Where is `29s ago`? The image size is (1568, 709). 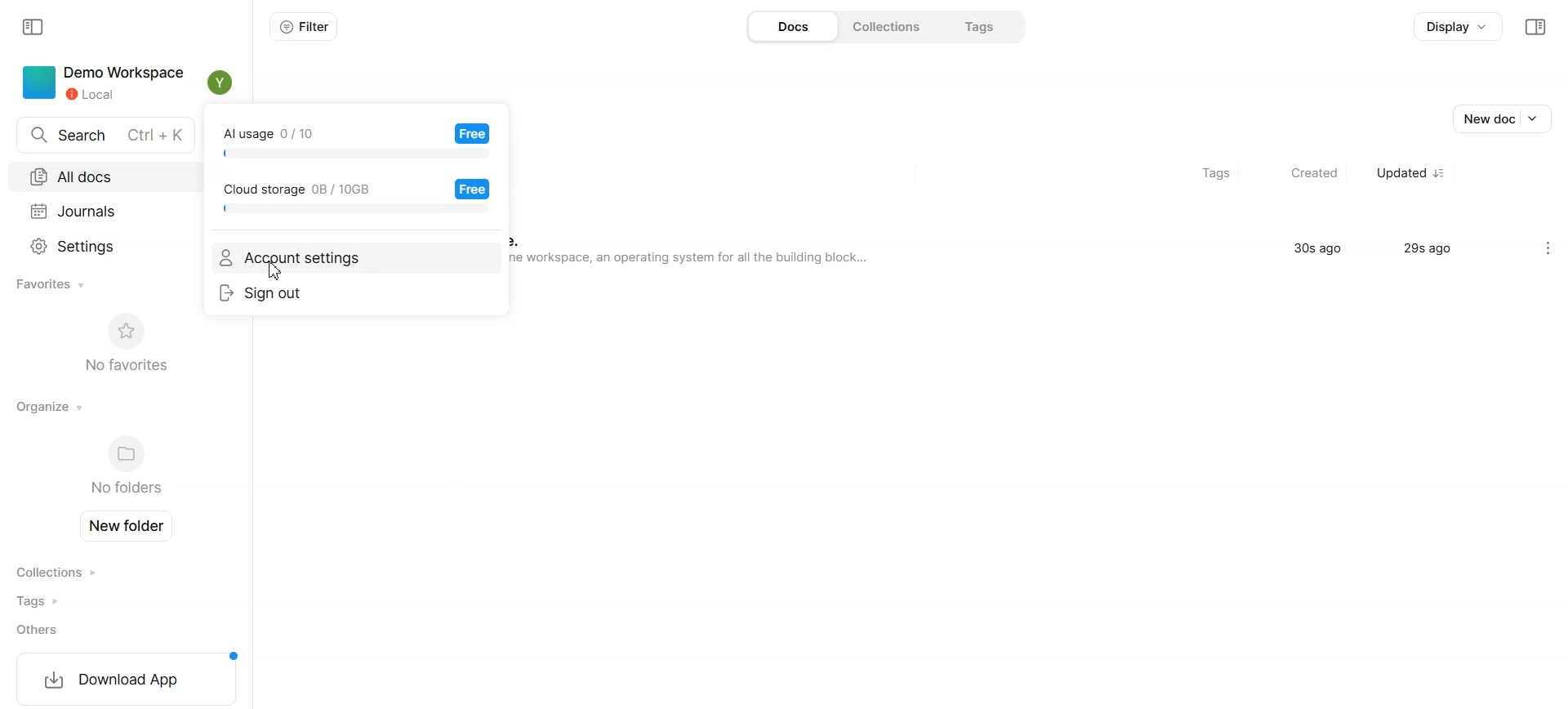 29s ago is located at coordinates (1434, 252).